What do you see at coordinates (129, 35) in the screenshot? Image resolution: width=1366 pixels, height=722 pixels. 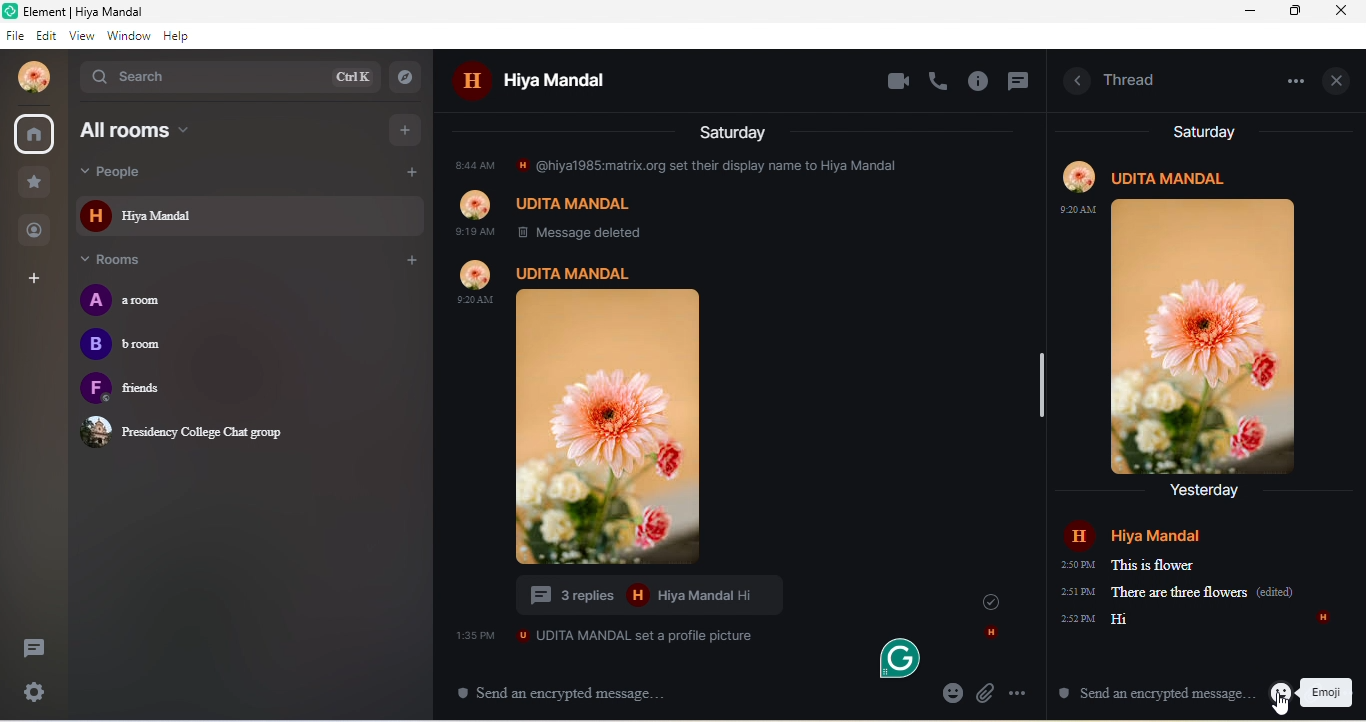 I see `Window` at bounding box center [129, 35].